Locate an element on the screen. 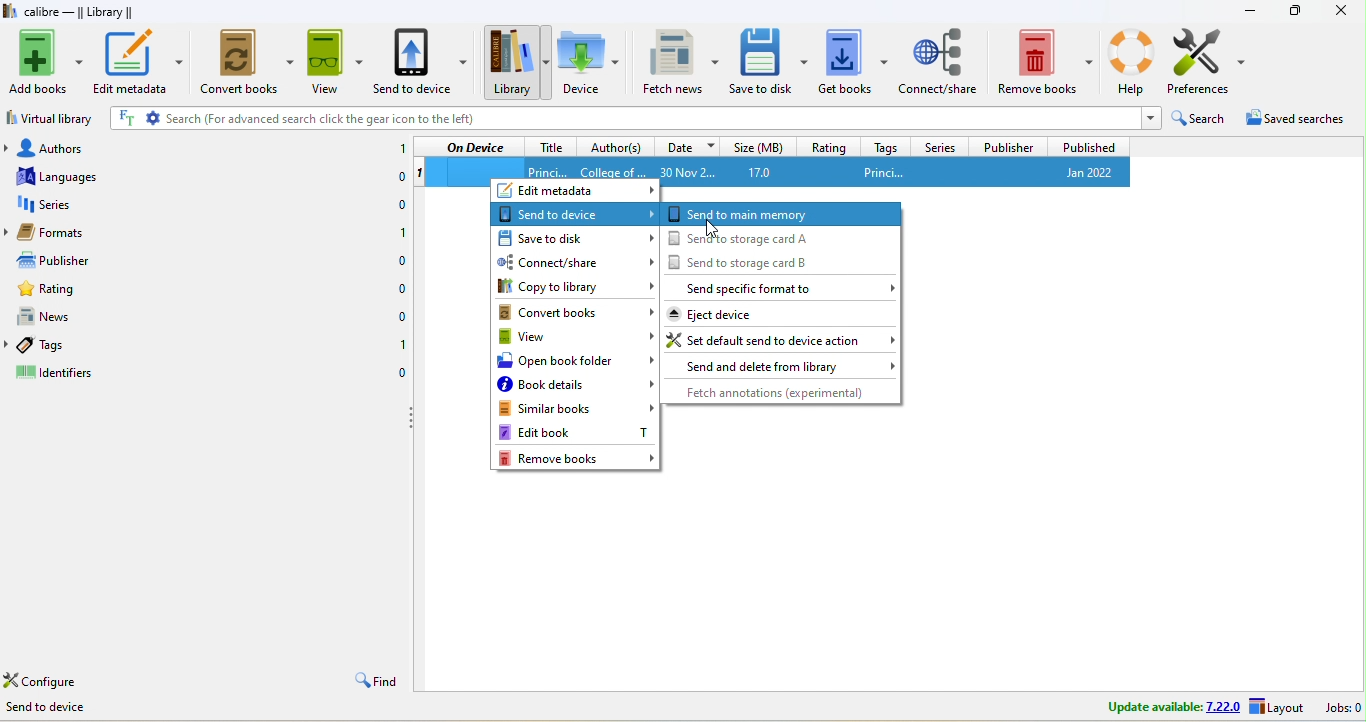 The height and width of the screenshot is (722, 1366). edit book is located at coordinates (575, 433).